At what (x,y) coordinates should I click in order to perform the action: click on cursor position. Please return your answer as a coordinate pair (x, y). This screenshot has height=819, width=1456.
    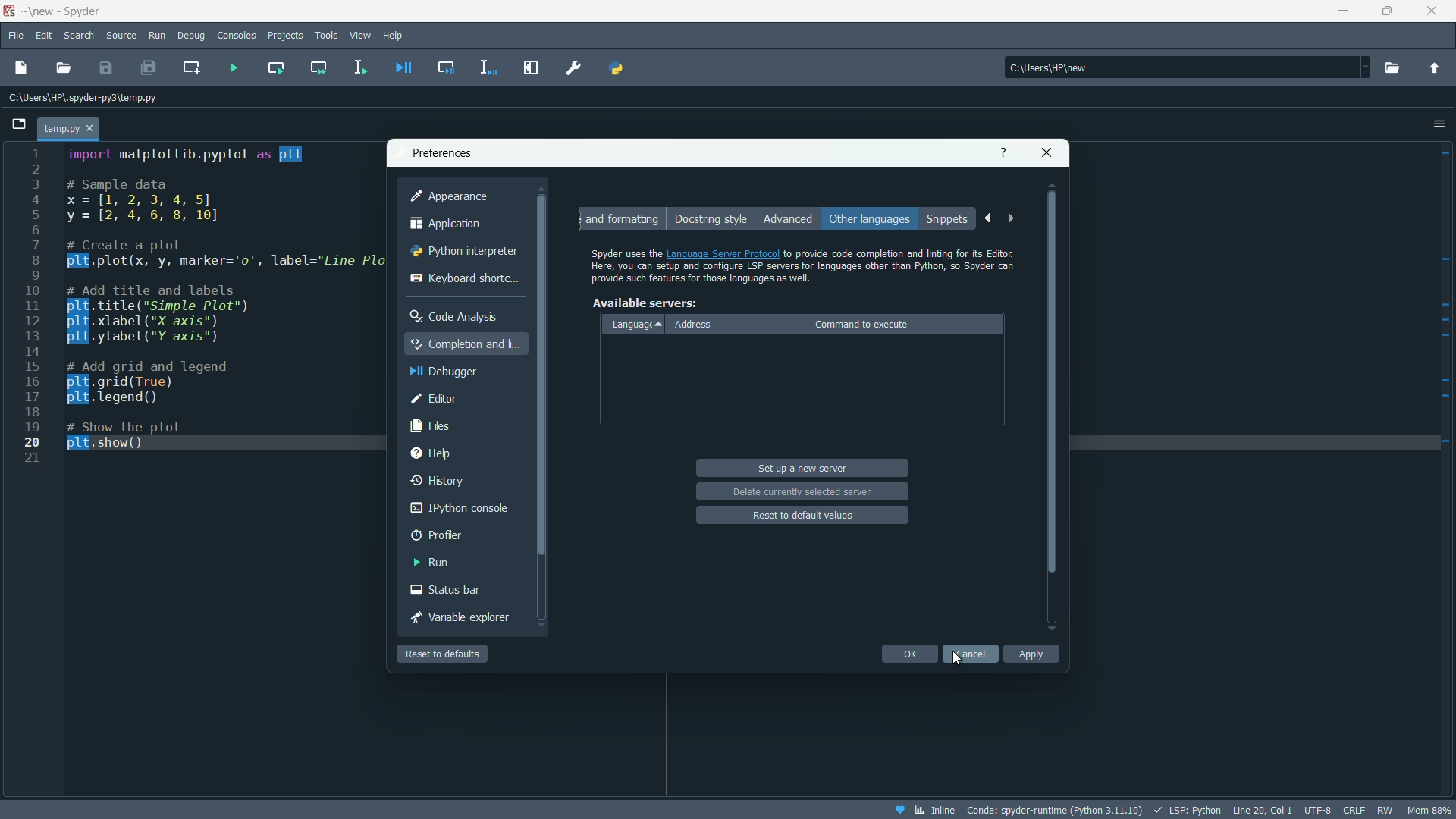
    Looking at the image, I should click on (1263, 809).